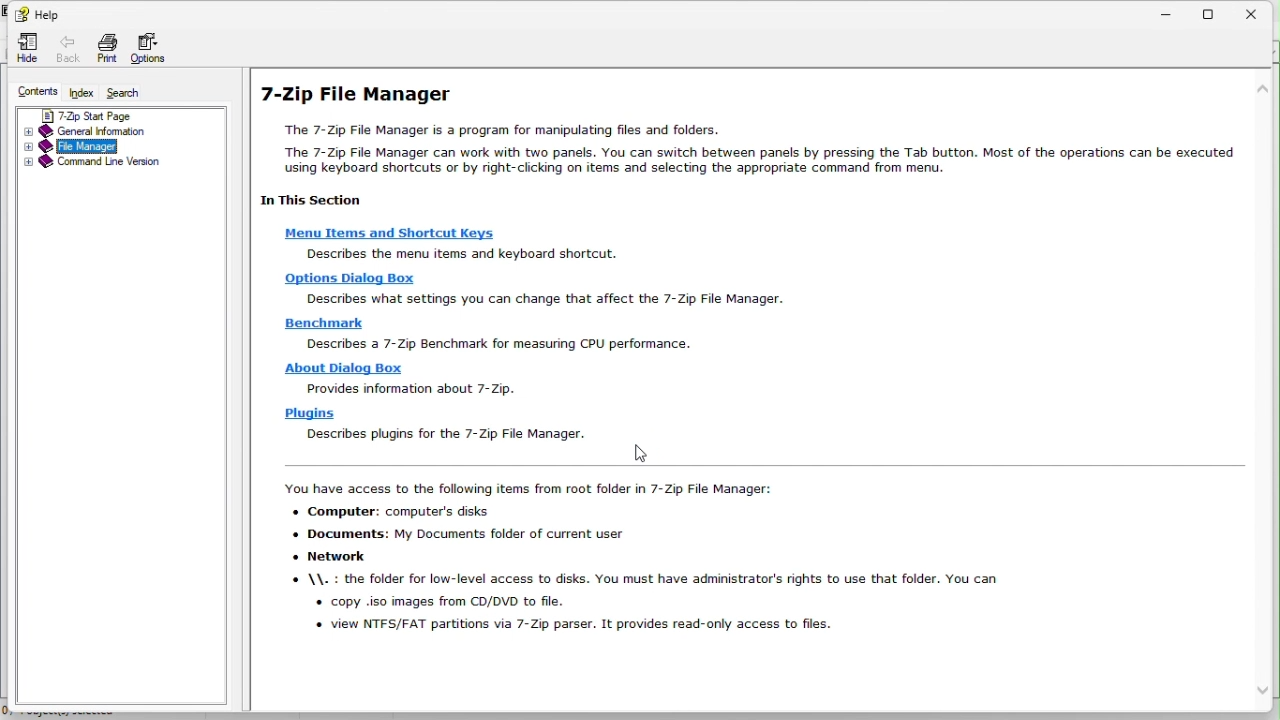 Image resolution: width=1280 pixels, height=720 pixels. Describe the element at coordinates (740, 134) in the screenshot. I see `7-Zip File Manager
The 7-Zip File Manager is a program for manipulating files and folders
The 7-Zip File Manager can work with two panels. You can switch between panels by pressing the Tab button. Most of the operations can be executed
using keyboard shortcuts or by right-clicking on items and selecting the appropriate command from menu.` at that location.